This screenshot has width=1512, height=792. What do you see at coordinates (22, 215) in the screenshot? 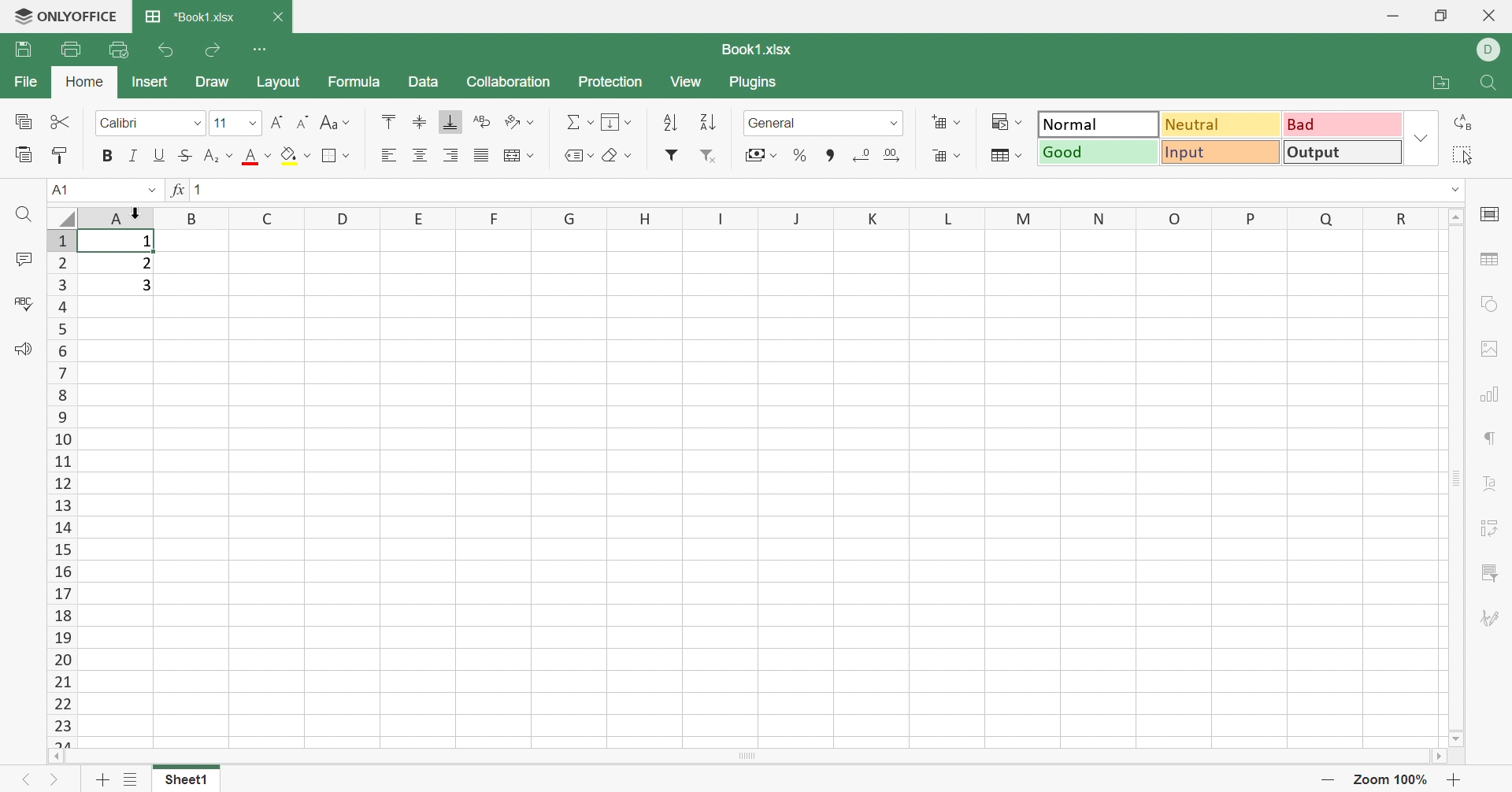
I see `Find` at bounding box center [22, 215].